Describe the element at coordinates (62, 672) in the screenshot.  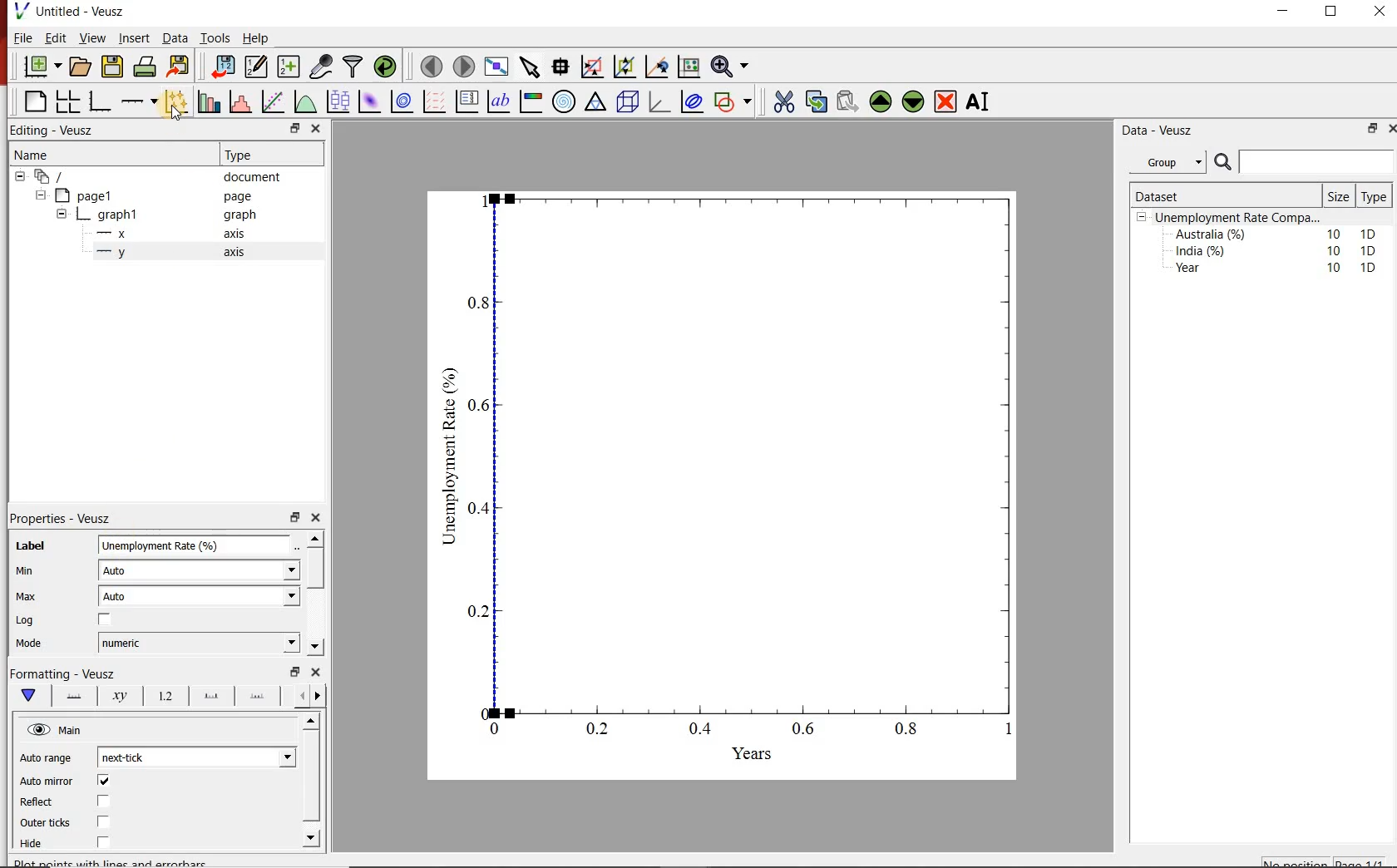
I see `Formatting - Veusz` at that location.